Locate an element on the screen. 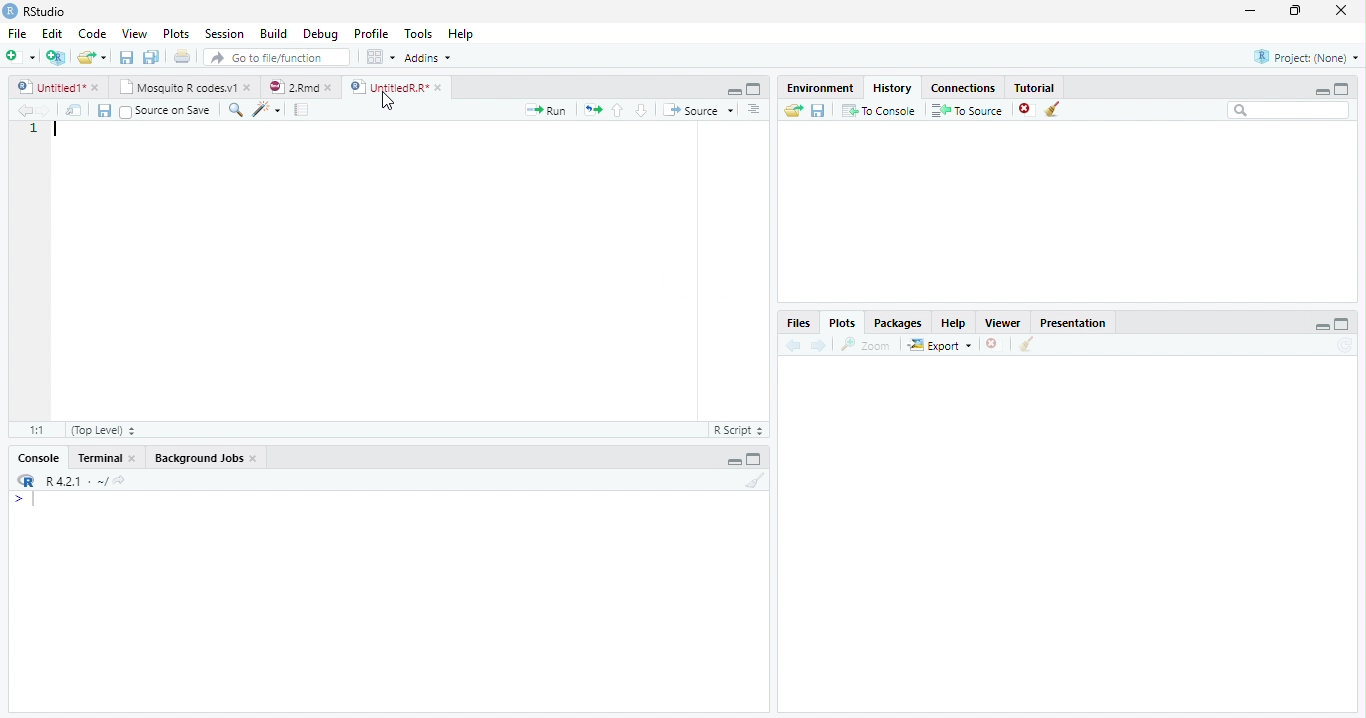  RStudio is located at coordinates (35, 12).